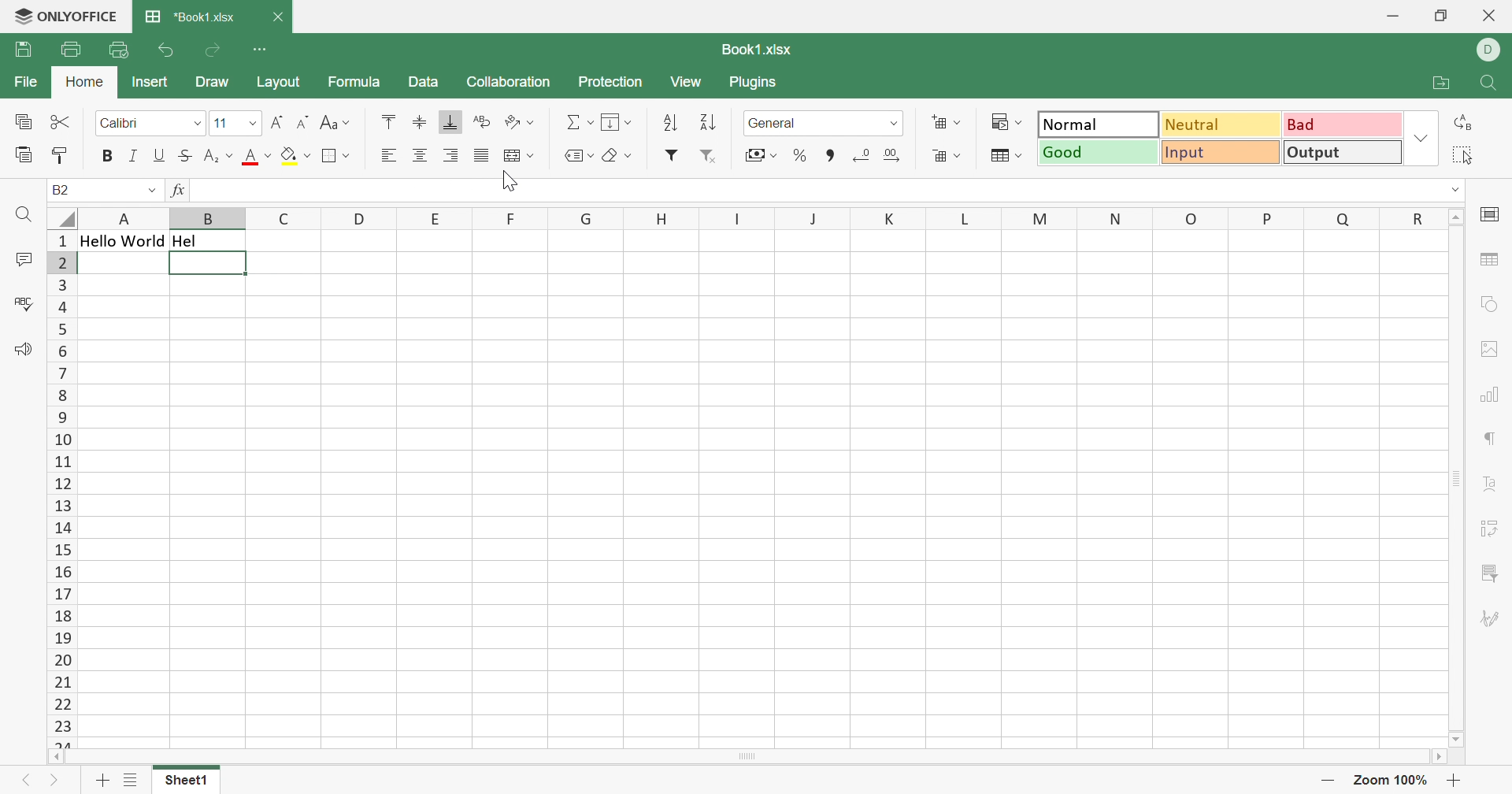 This screenshot has height=794, width=1512. I want to click on Paragraph settings, so click(1488, 440).